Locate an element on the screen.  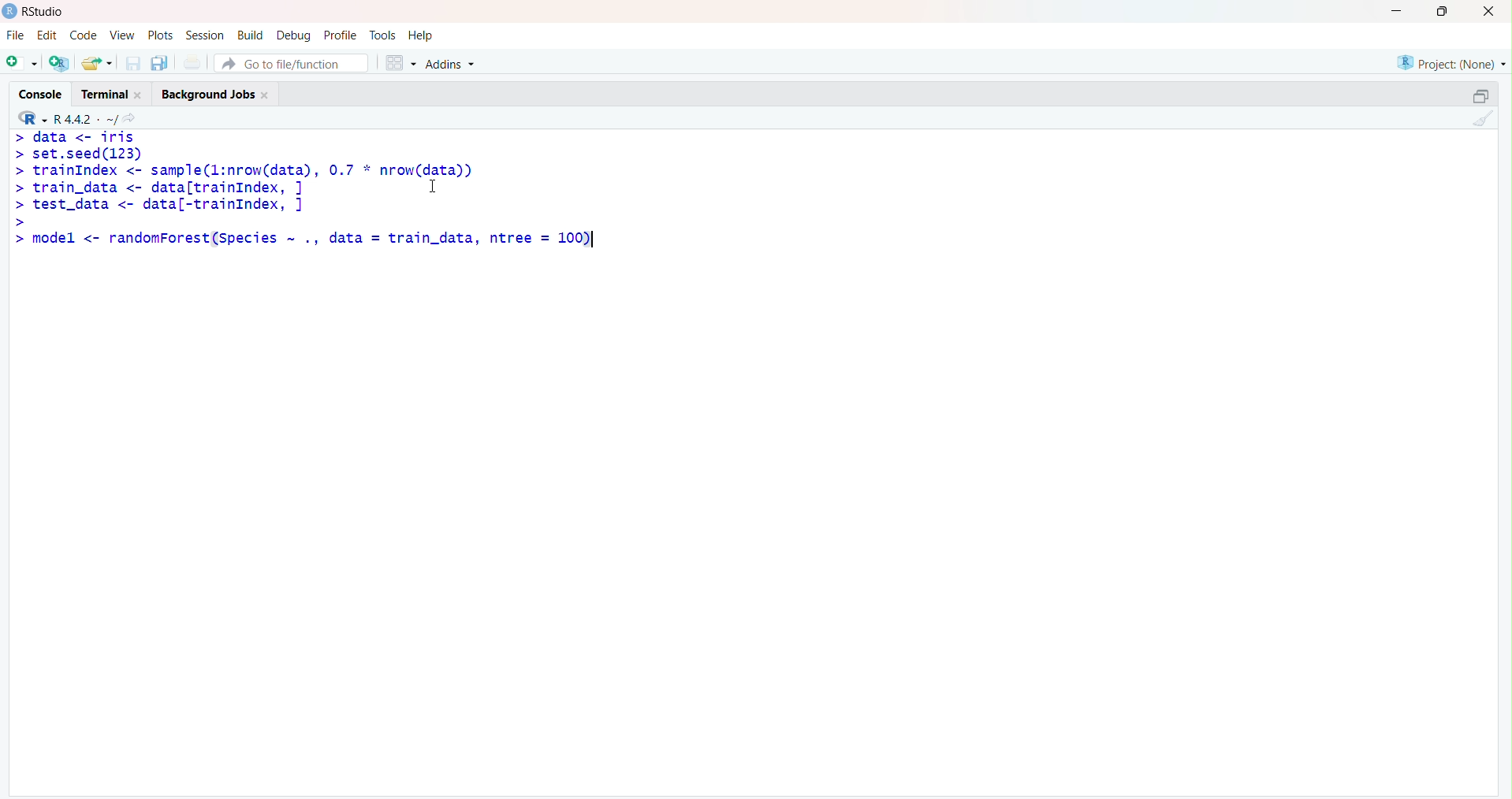
model <- randomForest(Species ~ ., data = train.) is located at coordinates (316, 238).